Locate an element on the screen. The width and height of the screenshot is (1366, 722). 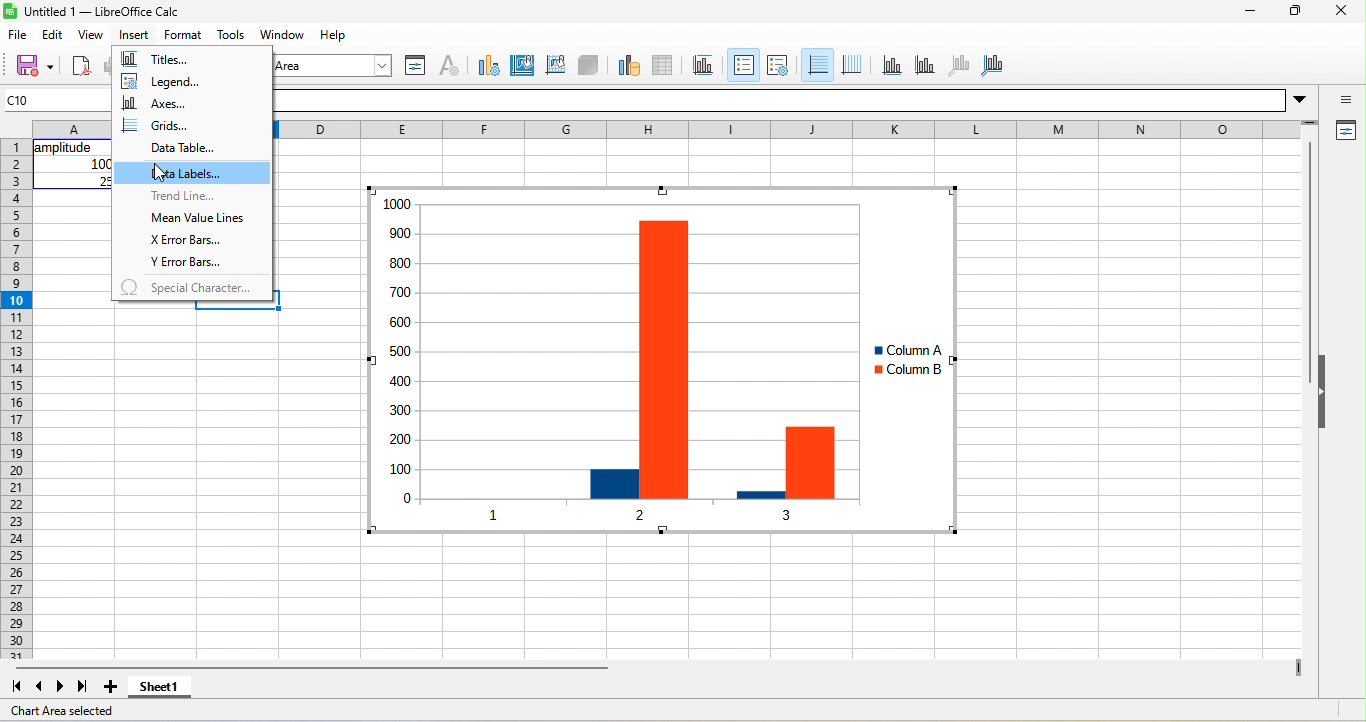
rows is located at coordinates (15, 399).